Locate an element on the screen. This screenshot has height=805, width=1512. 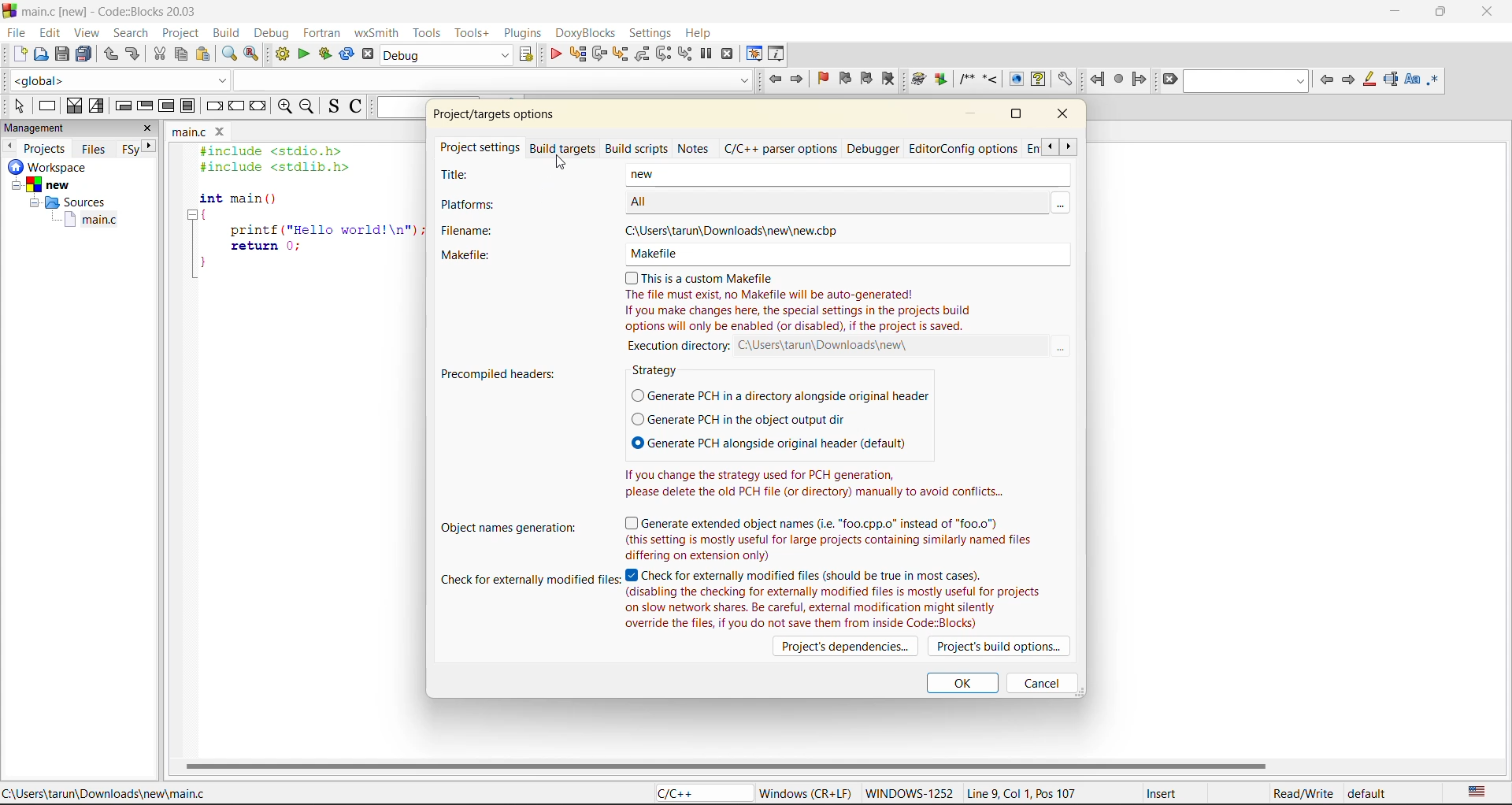
build and run is located at coordinates (326, 54).